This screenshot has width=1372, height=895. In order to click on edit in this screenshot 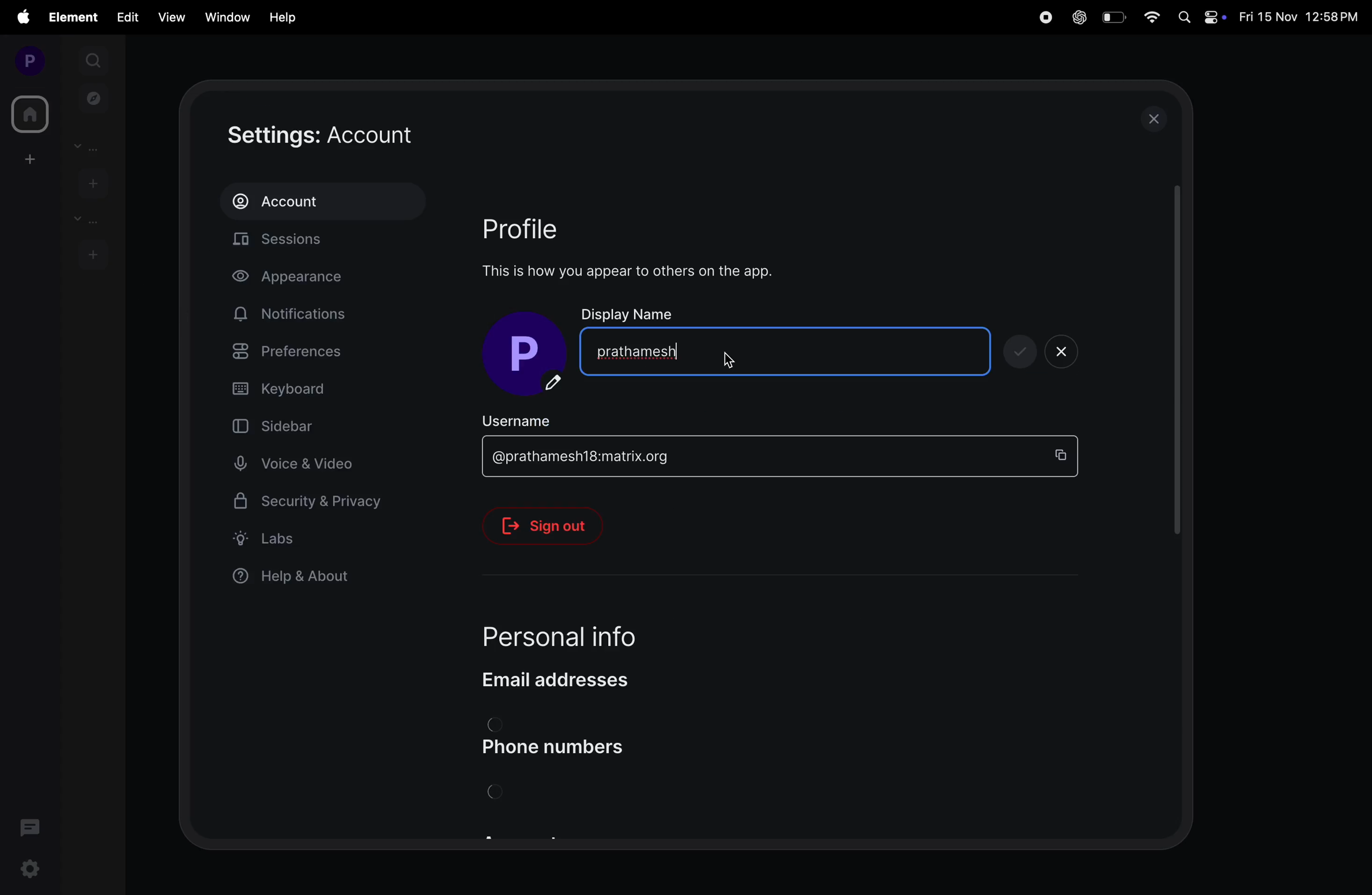, I will do `click(127, 16)`.